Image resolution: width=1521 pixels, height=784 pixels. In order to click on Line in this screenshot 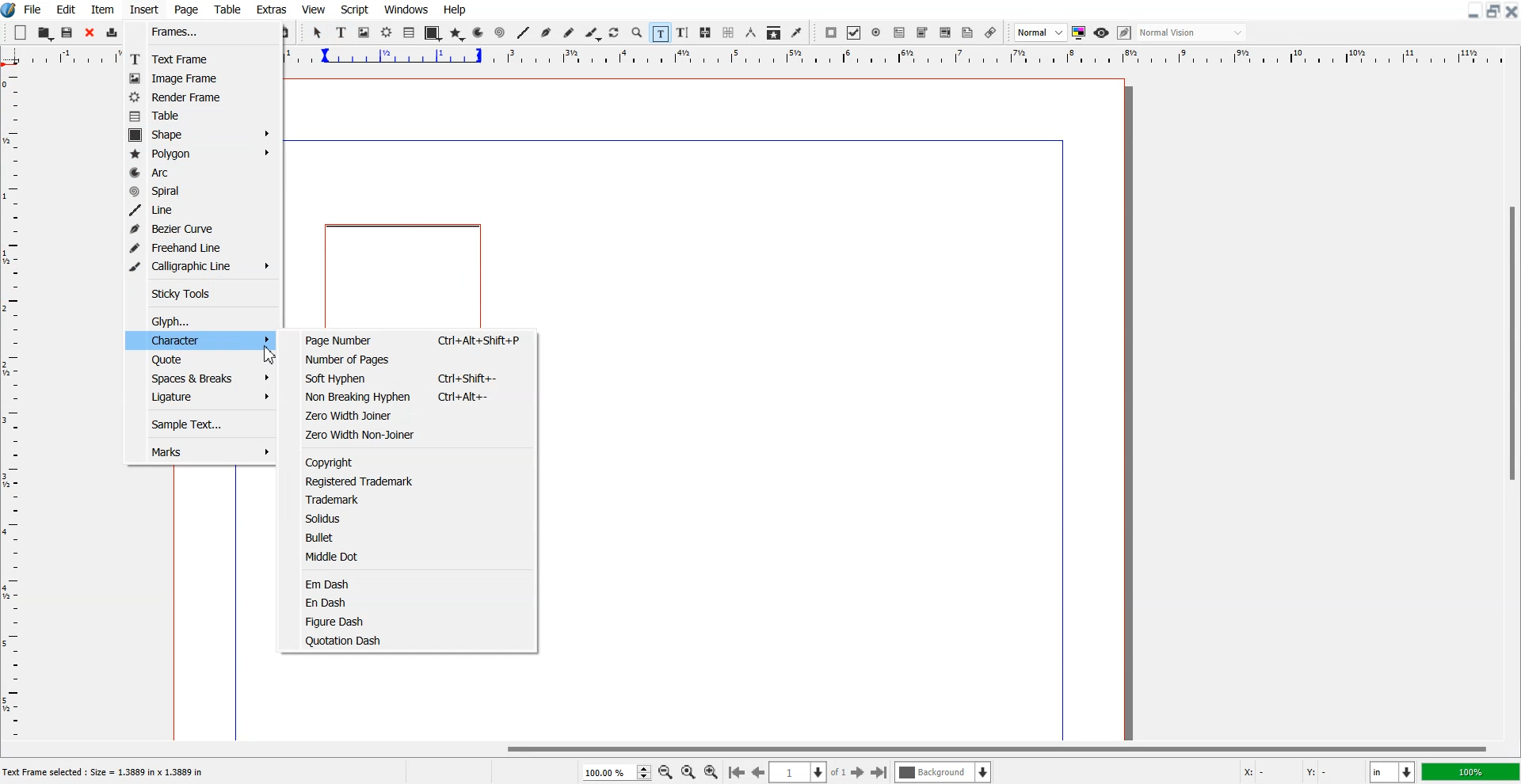, I will do `click(201, 210)`.